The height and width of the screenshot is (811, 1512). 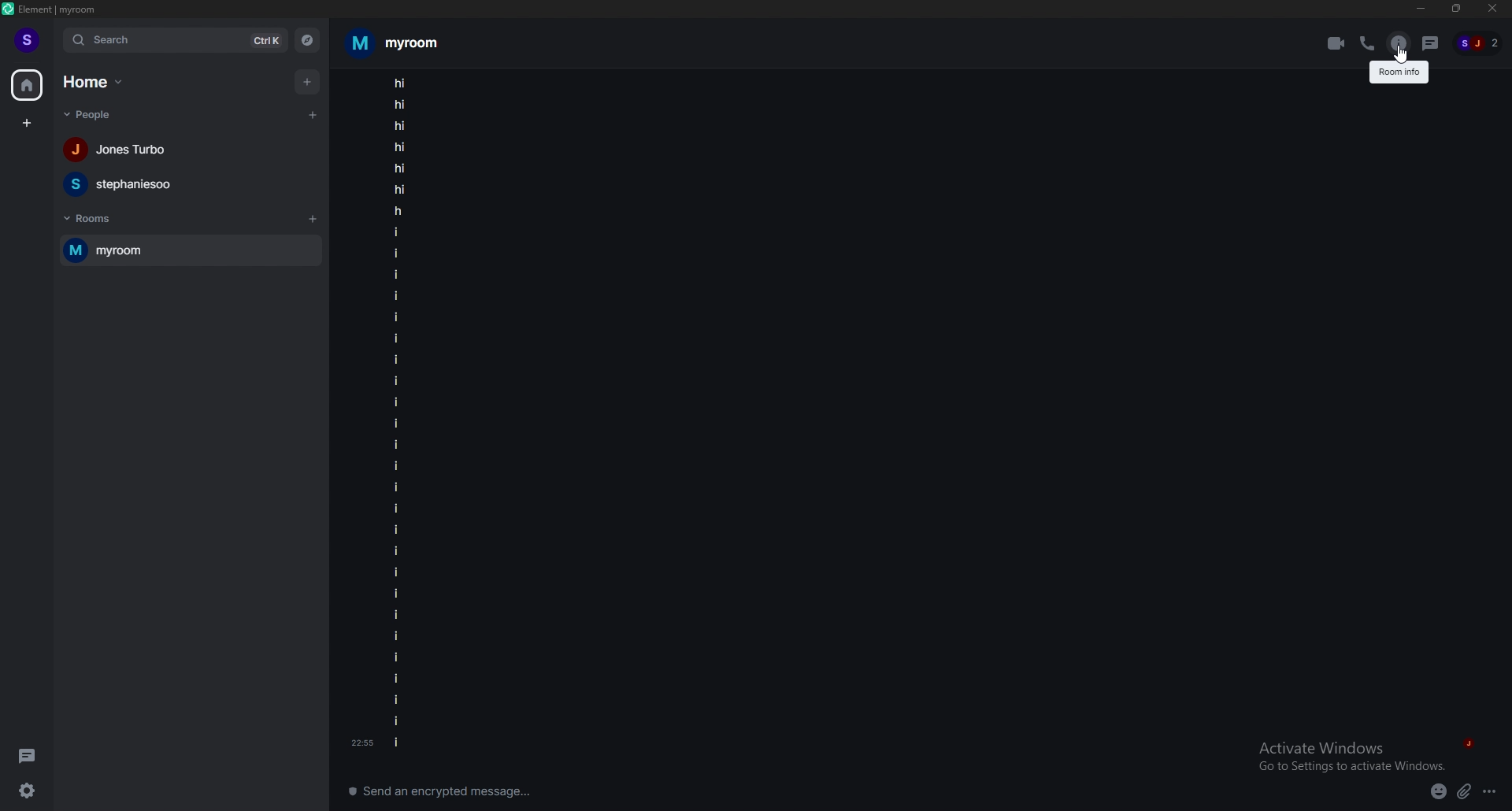 I want to click on options, so click(x=1491, y=791).